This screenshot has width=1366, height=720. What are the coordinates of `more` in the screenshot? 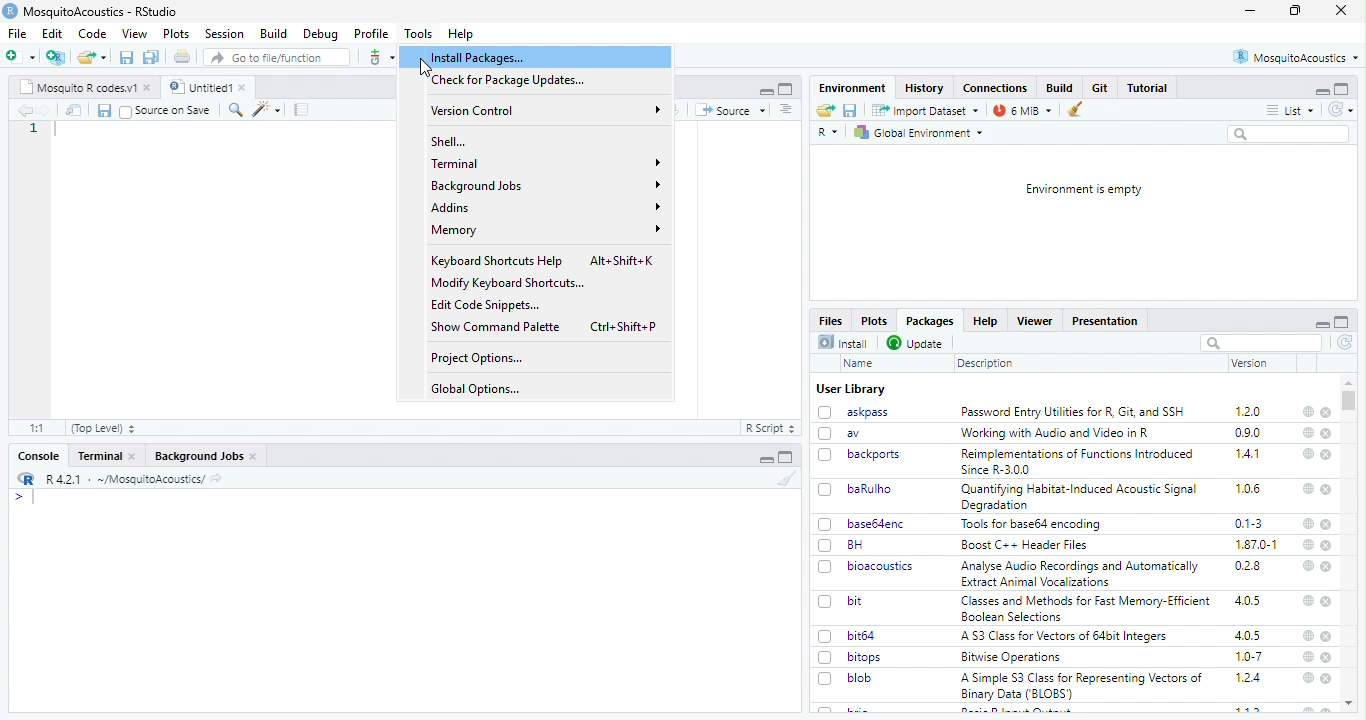 It's located at (787, 110).